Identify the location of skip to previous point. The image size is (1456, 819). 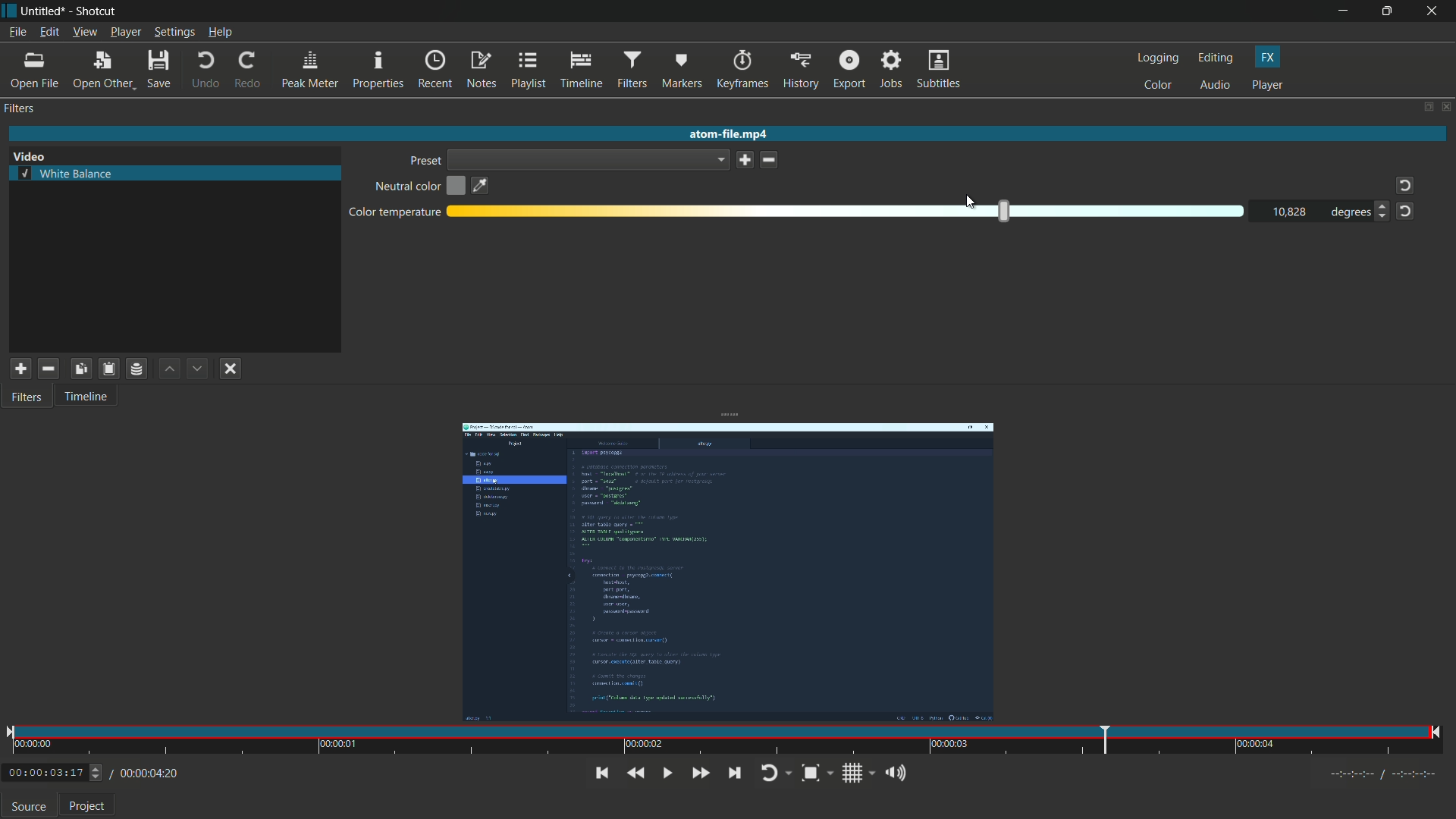
(599, 772).